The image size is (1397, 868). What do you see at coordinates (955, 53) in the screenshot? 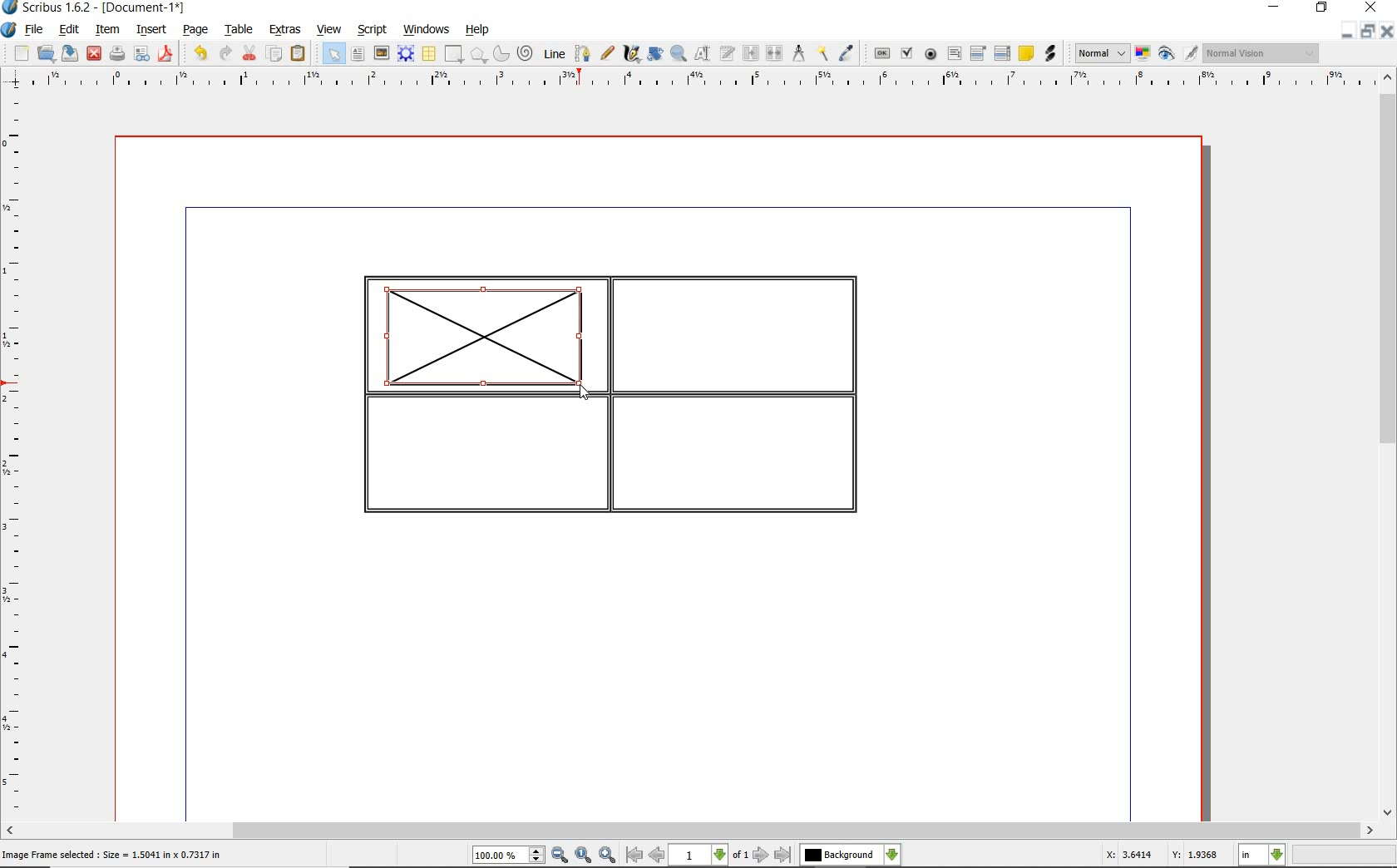
I see `pdf text field` at bounding box center [955, 53].